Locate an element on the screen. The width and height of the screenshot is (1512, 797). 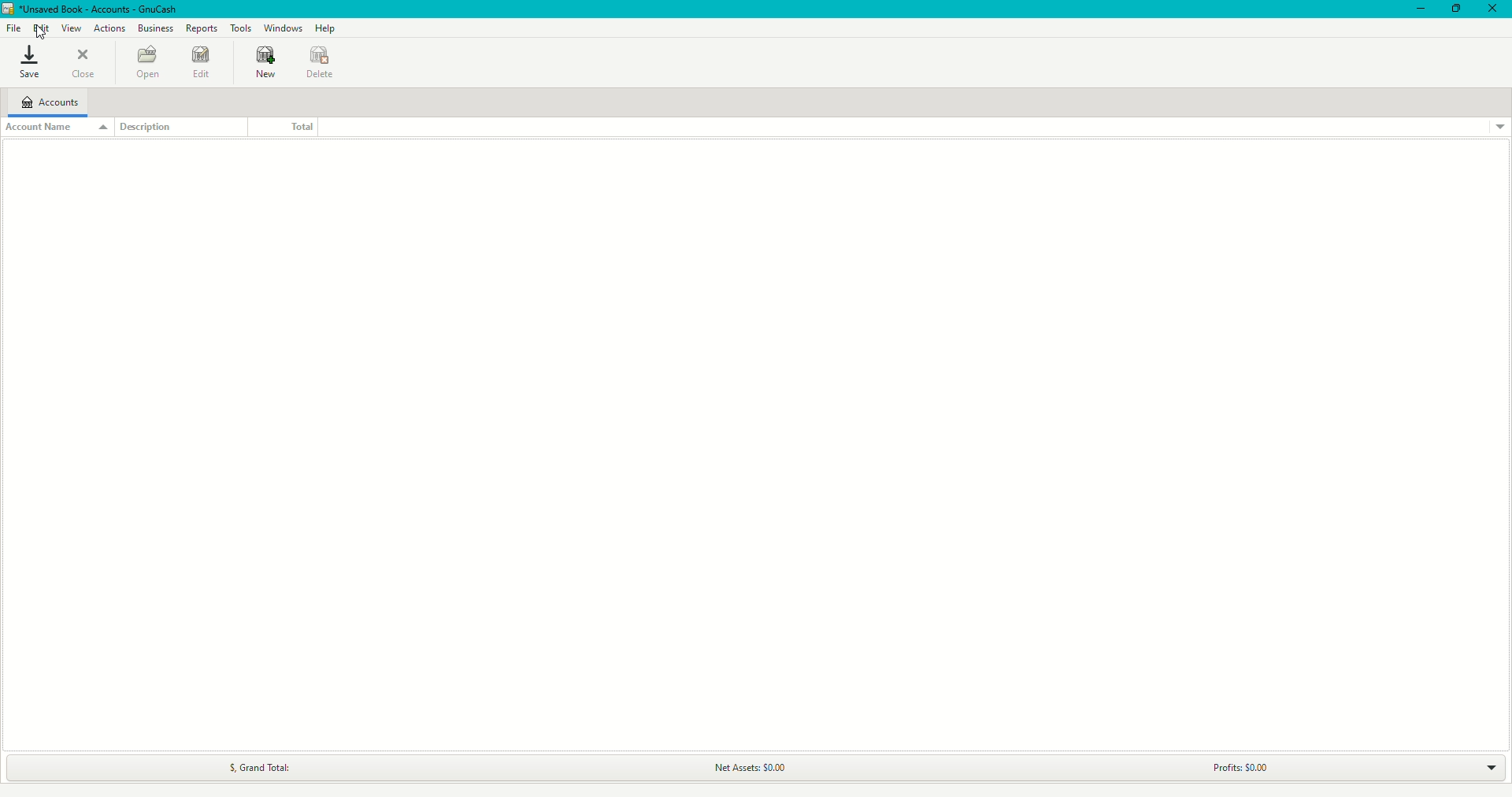
Help is located at coordinates (328, 28).